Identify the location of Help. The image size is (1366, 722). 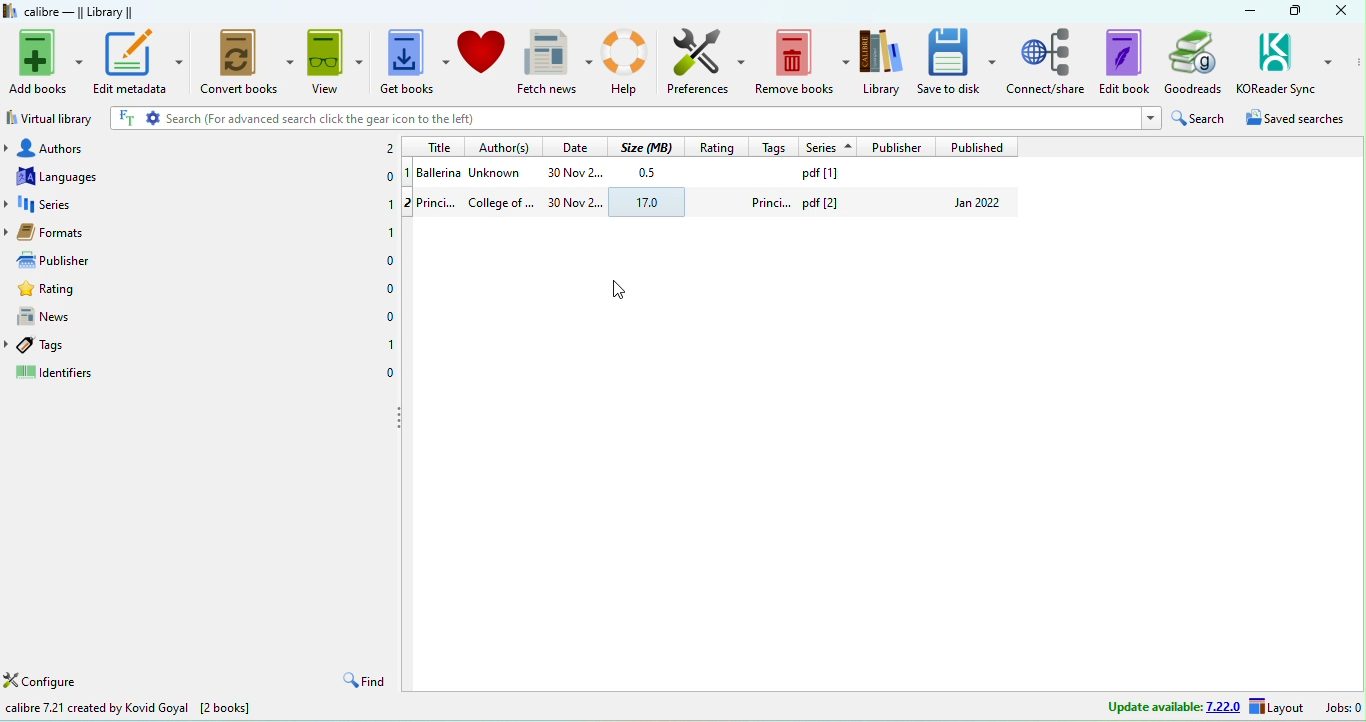
(628, 61).